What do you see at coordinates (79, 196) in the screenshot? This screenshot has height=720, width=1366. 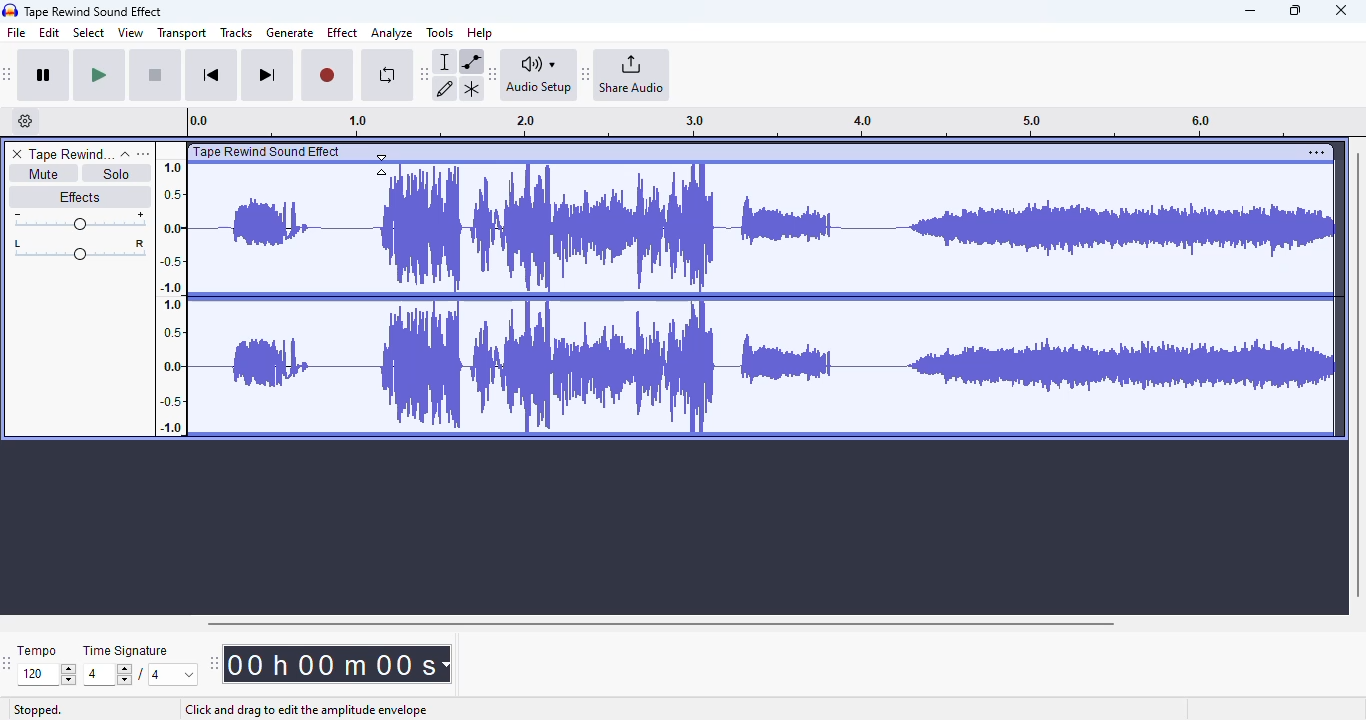 I see `effects` at bounding box center [79, 196].